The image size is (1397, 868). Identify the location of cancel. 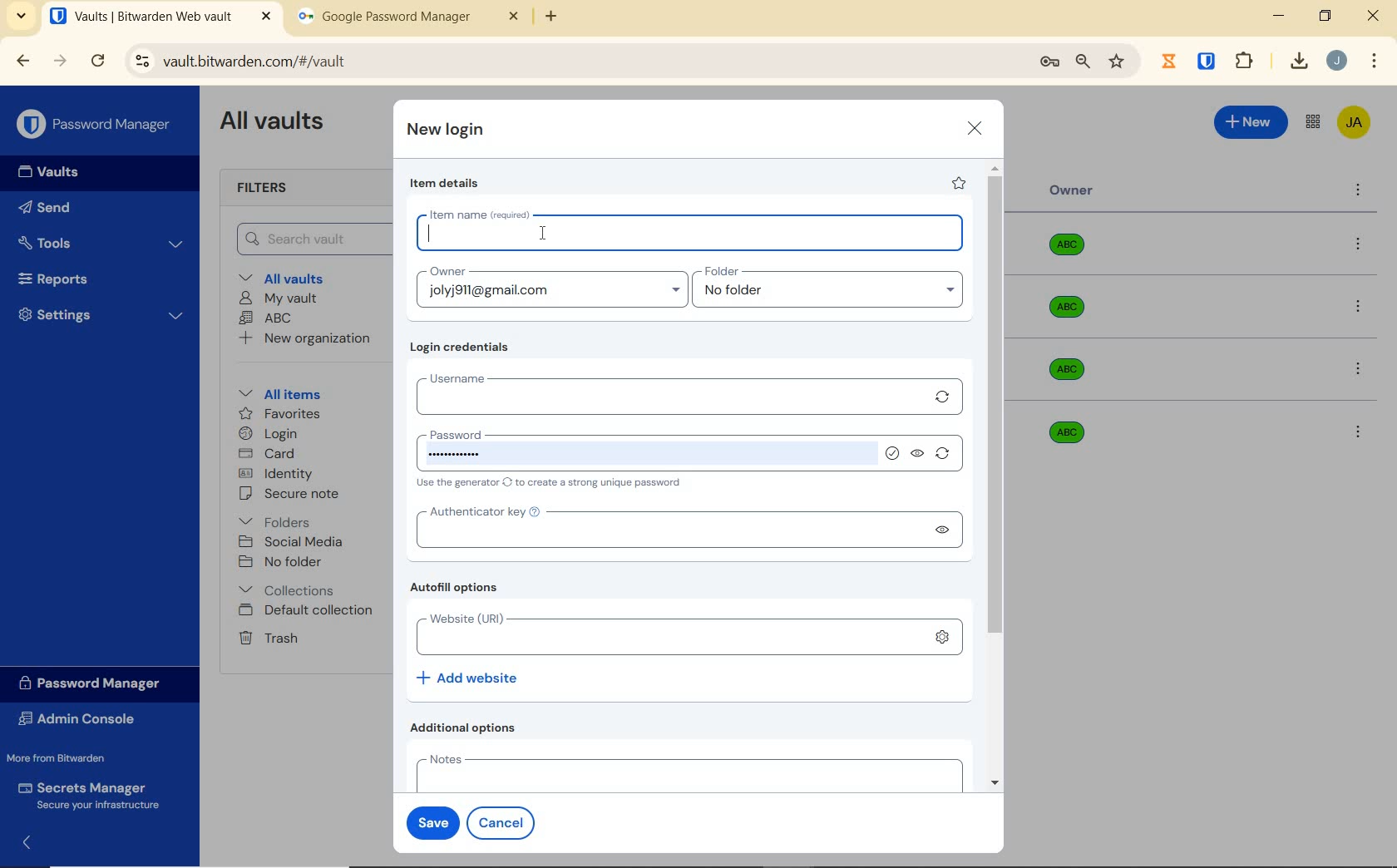
(504, 822).